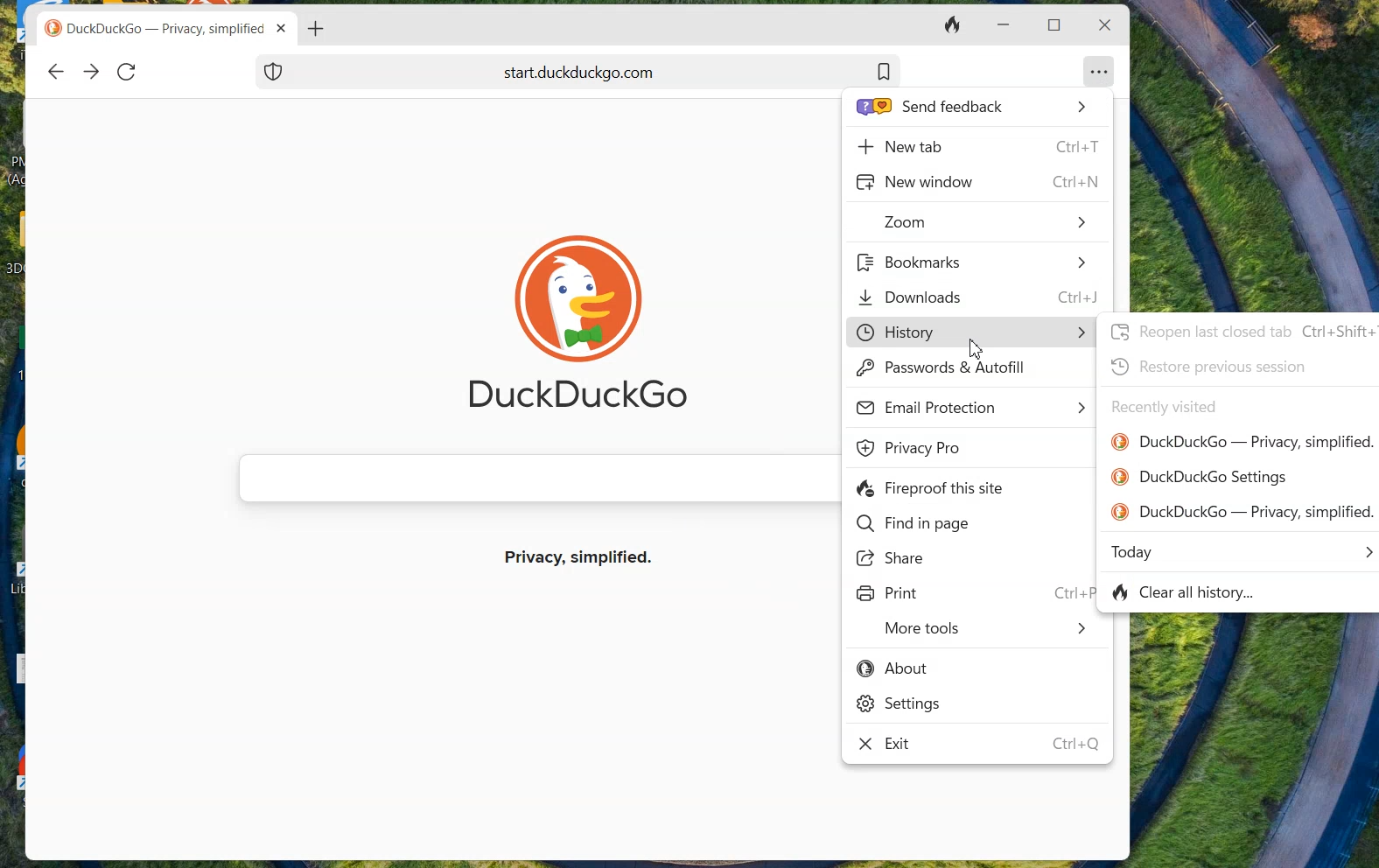  I want to click on duckduck go logo, so click(53, 29).